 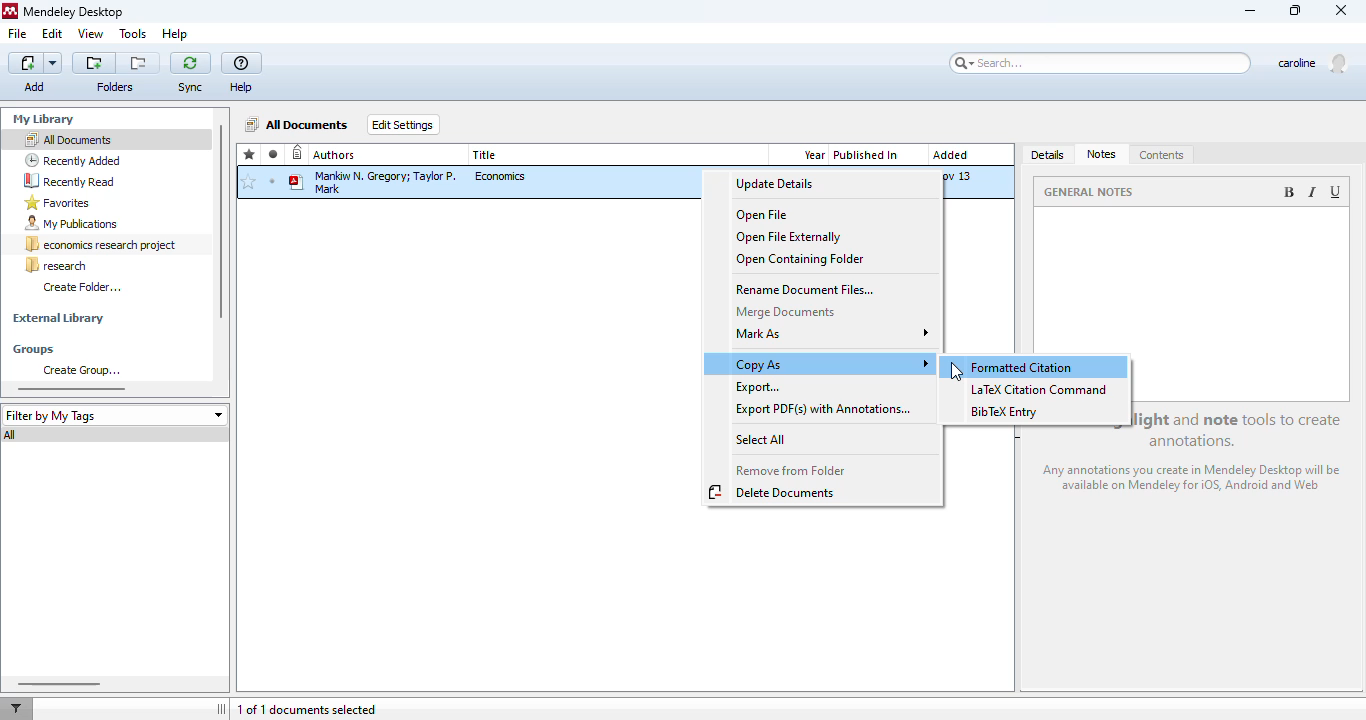 I want to click on add, so click(x=36, y=63).